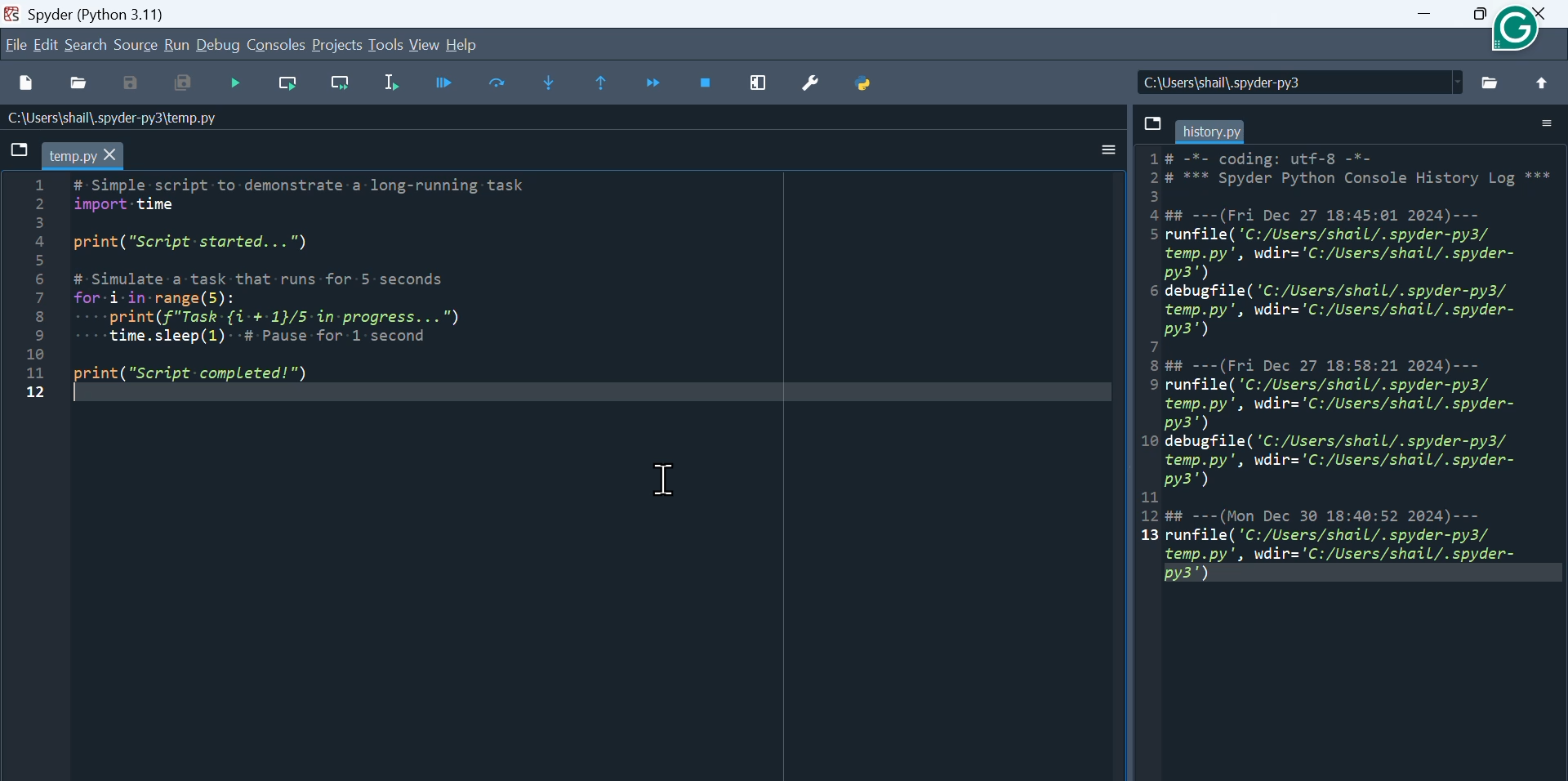 Image resolution: width=1568 pixels, height=781 pixels. I want to click on Stop Debugging, so click(711, 83).